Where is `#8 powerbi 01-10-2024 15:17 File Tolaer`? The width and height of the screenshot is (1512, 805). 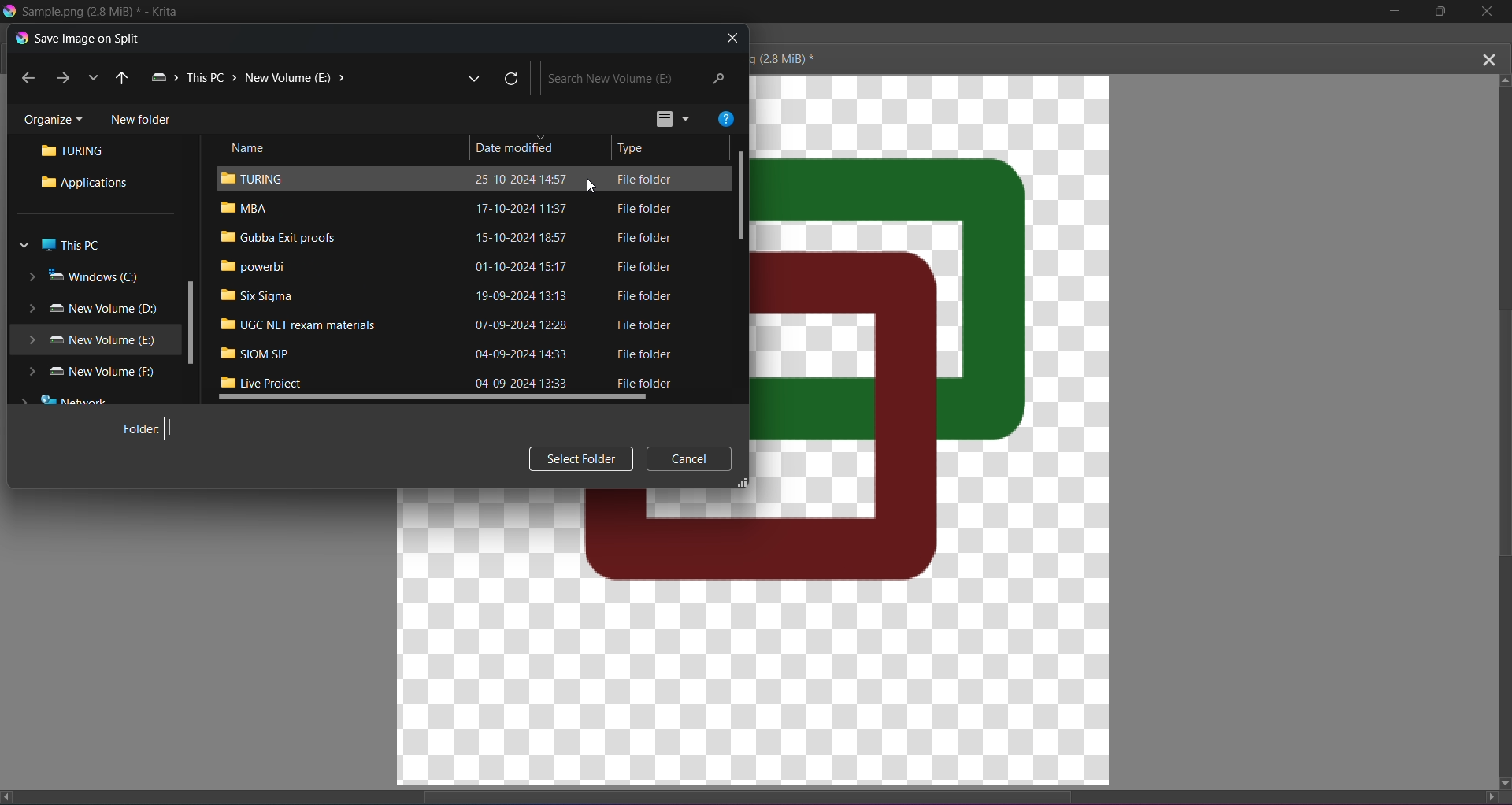
#8 powerbi 01-10-2024 15:17 File Tolaer is located at coordinates (466, 265).